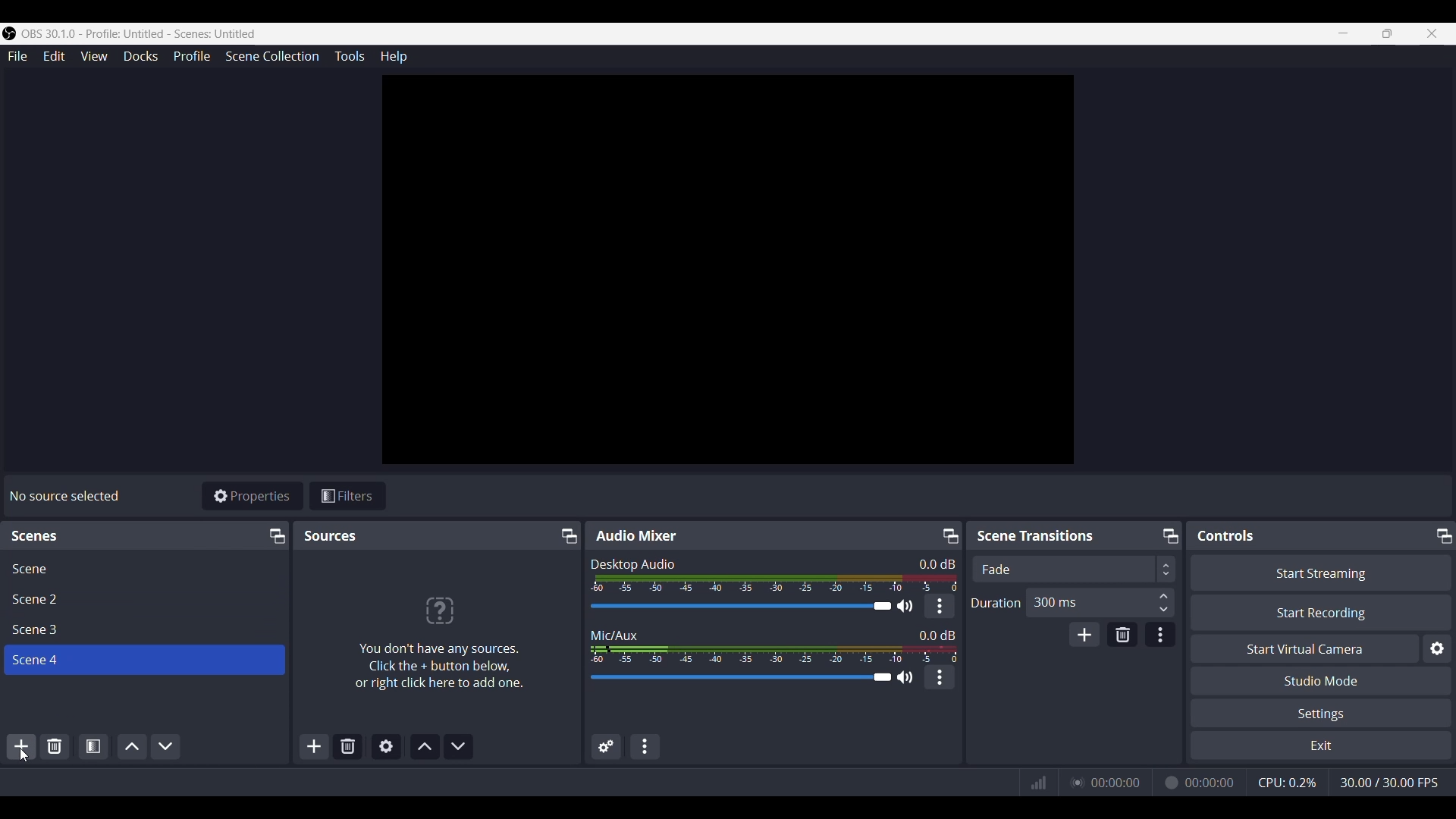 This screenshot has height=819, width=1456. I want to click on ADD SCENES, so click(23, 748).